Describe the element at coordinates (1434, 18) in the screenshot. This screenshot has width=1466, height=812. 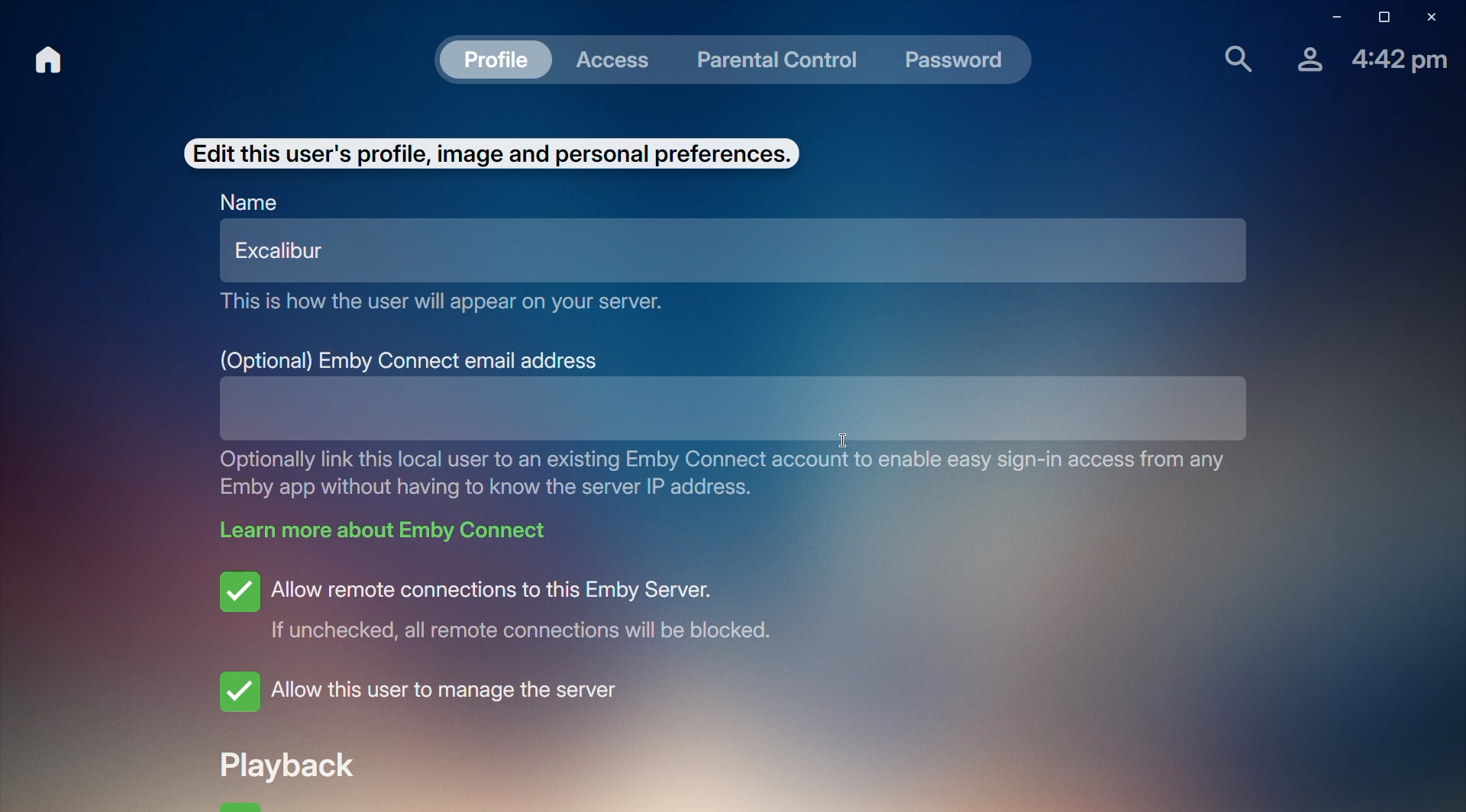
I see `Close` at that location.